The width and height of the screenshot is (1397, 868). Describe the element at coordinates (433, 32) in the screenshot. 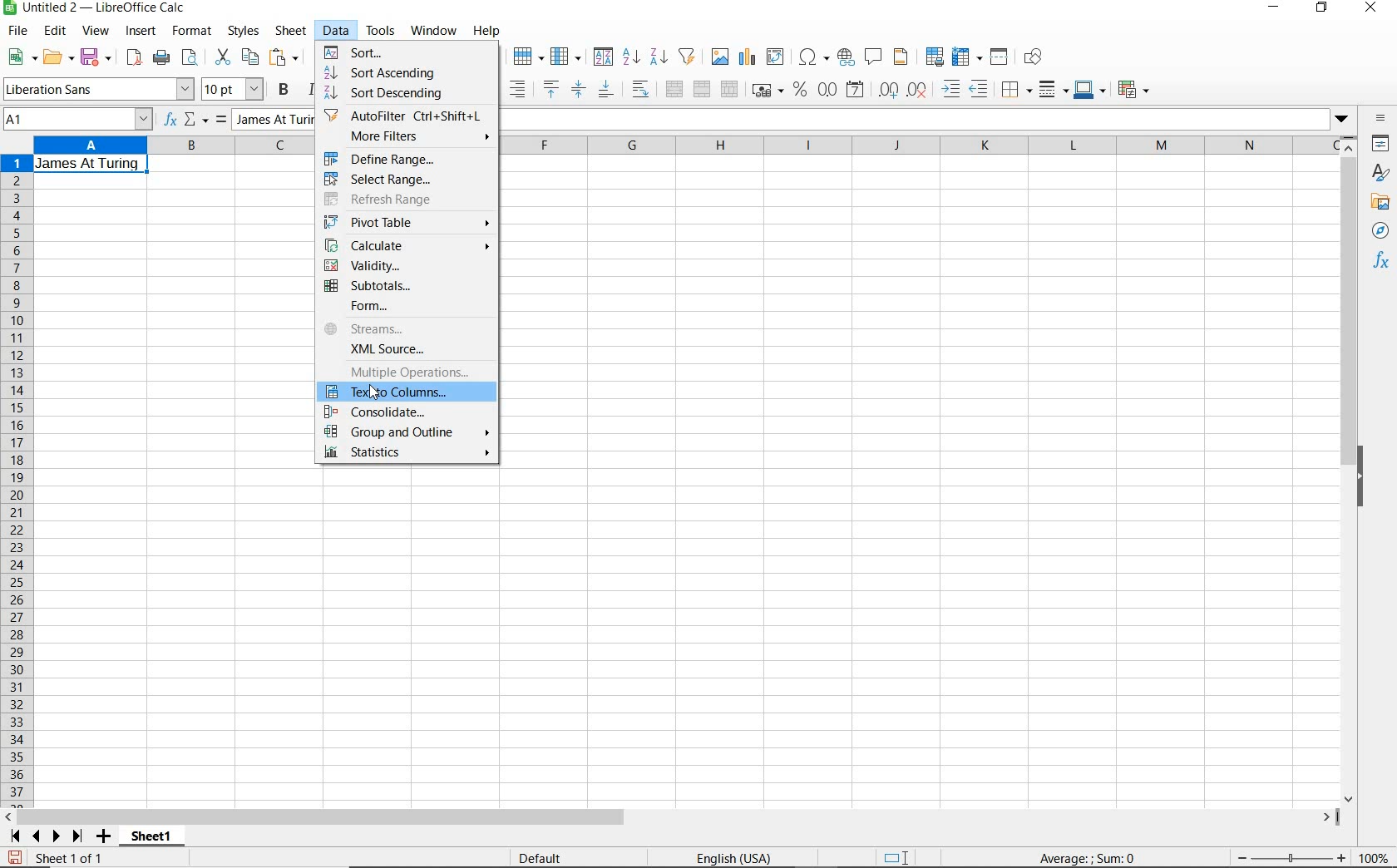

I see `window` at that location.